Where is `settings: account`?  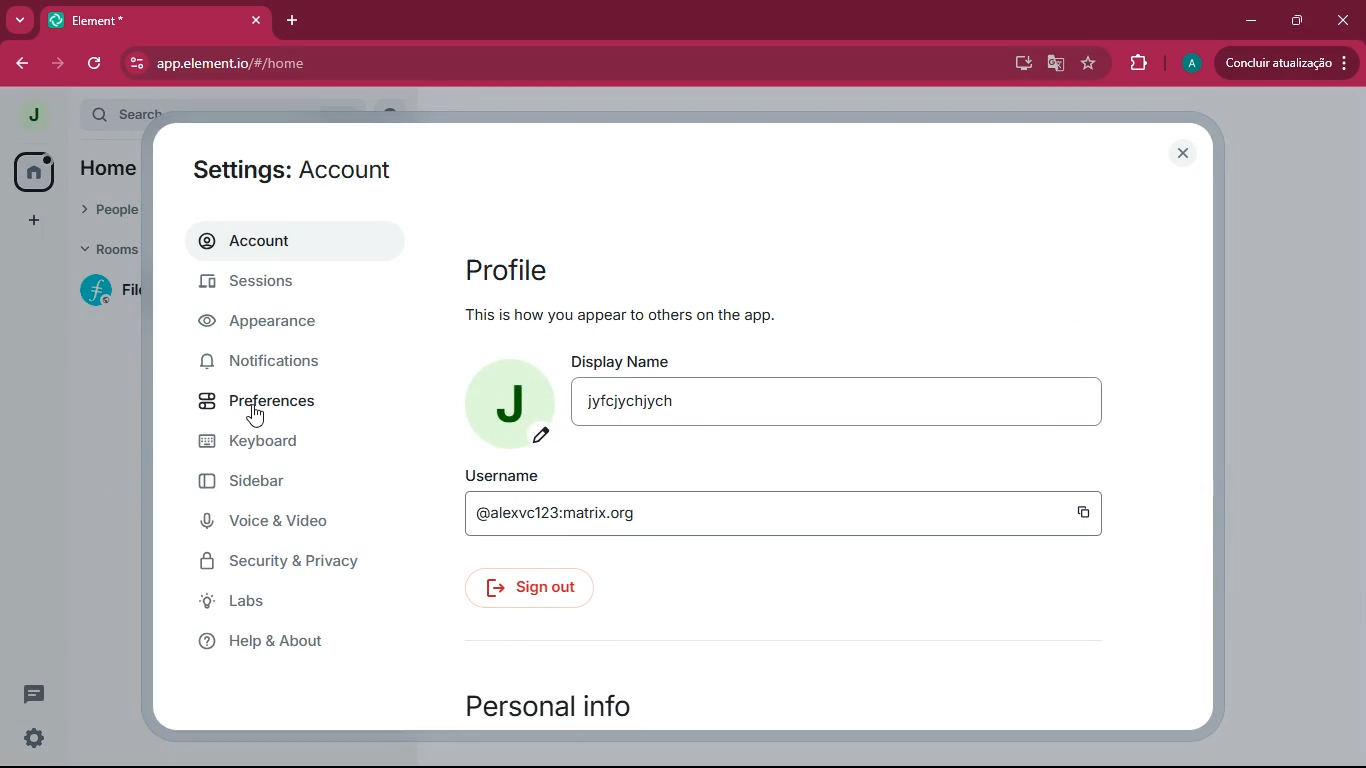 settings: account is located at coordinates (315, 173).